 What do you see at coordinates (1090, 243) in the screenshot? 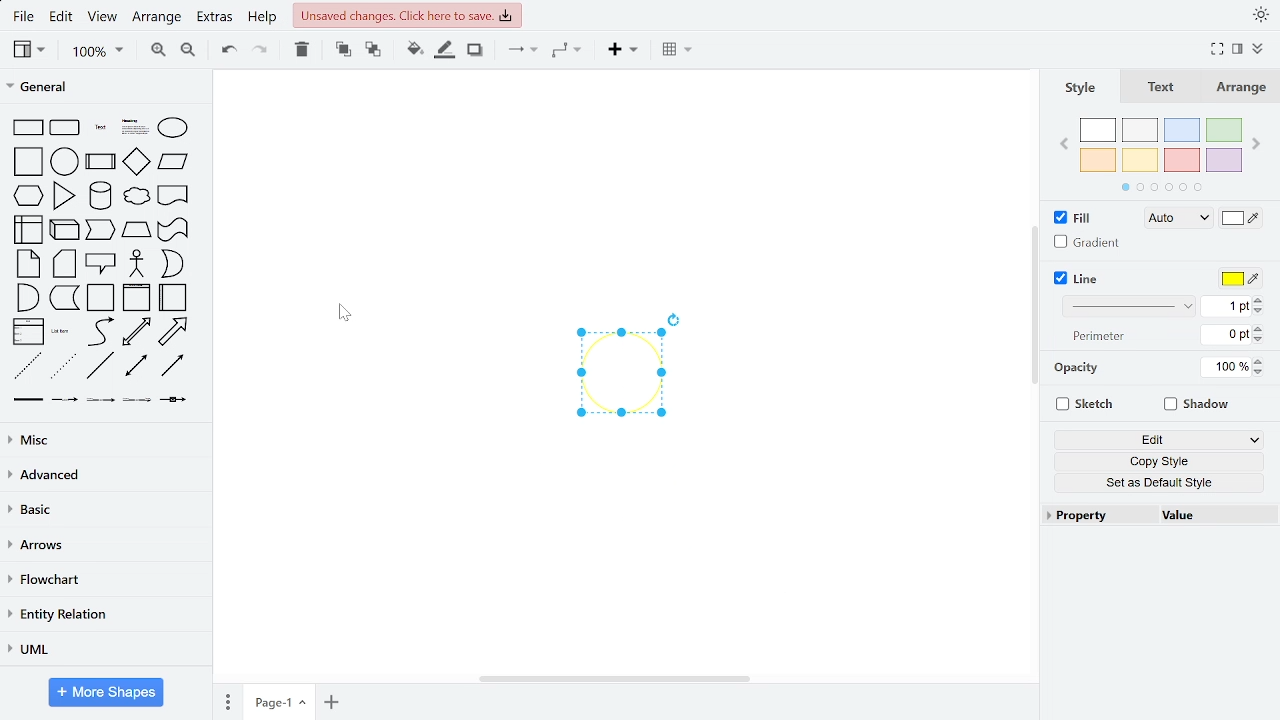
I see `gradient` at bounding box center [1090, 243].